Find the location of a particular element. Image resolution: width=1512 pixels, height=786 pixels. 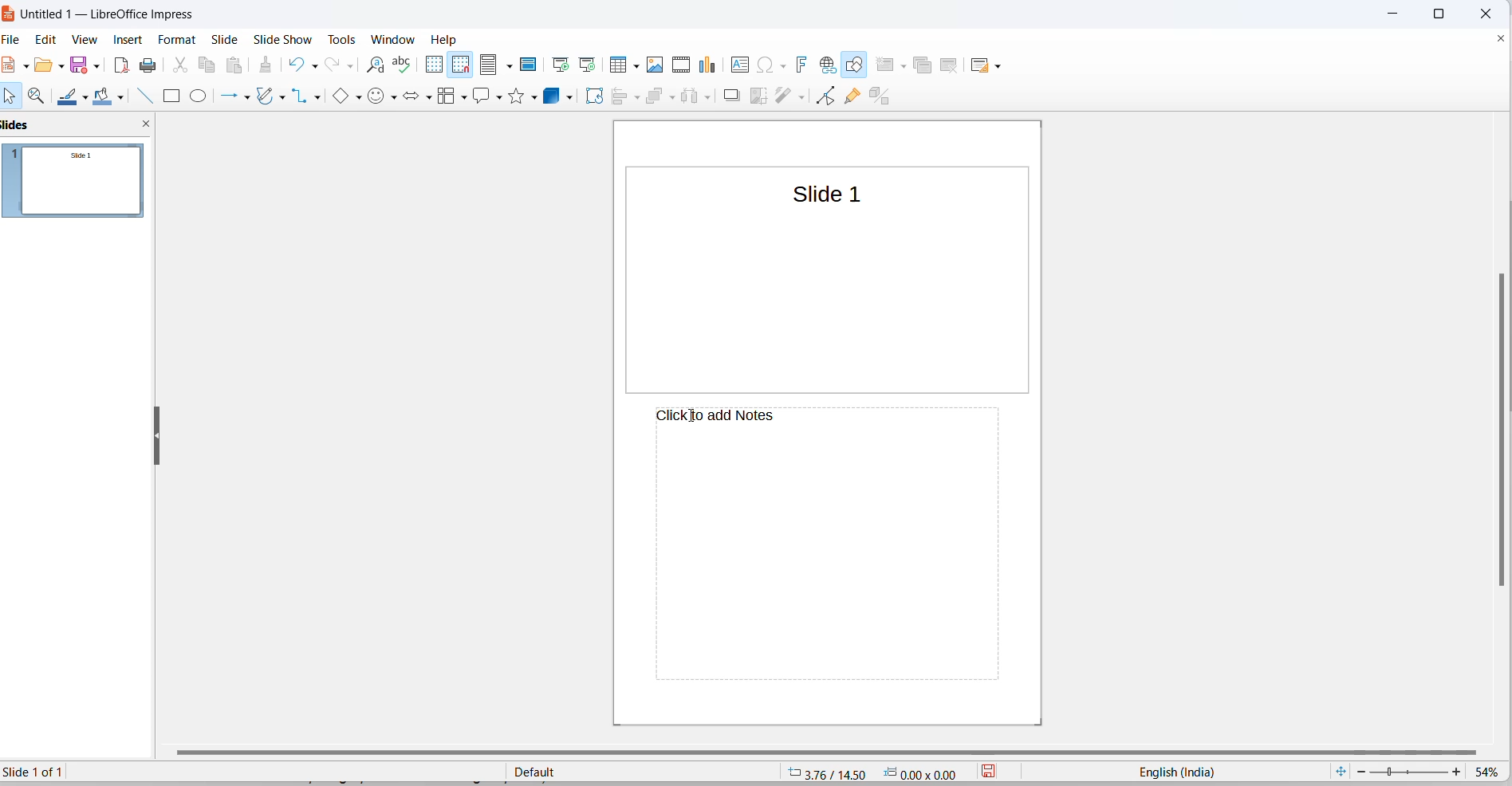

save is located at coordinates (993, 772).